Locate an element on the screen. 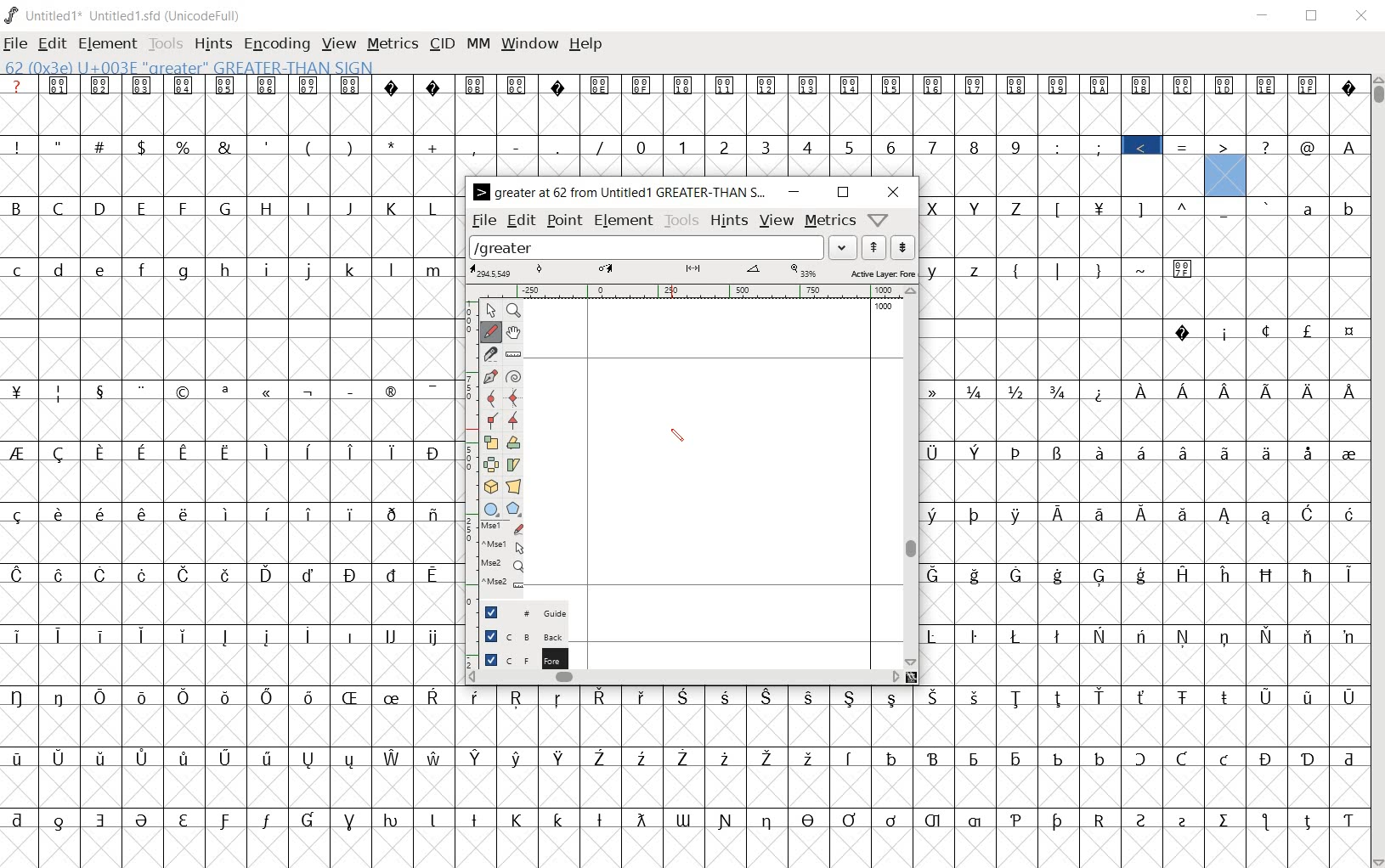  draw a freehand curve is located at coordinates (491, 332).